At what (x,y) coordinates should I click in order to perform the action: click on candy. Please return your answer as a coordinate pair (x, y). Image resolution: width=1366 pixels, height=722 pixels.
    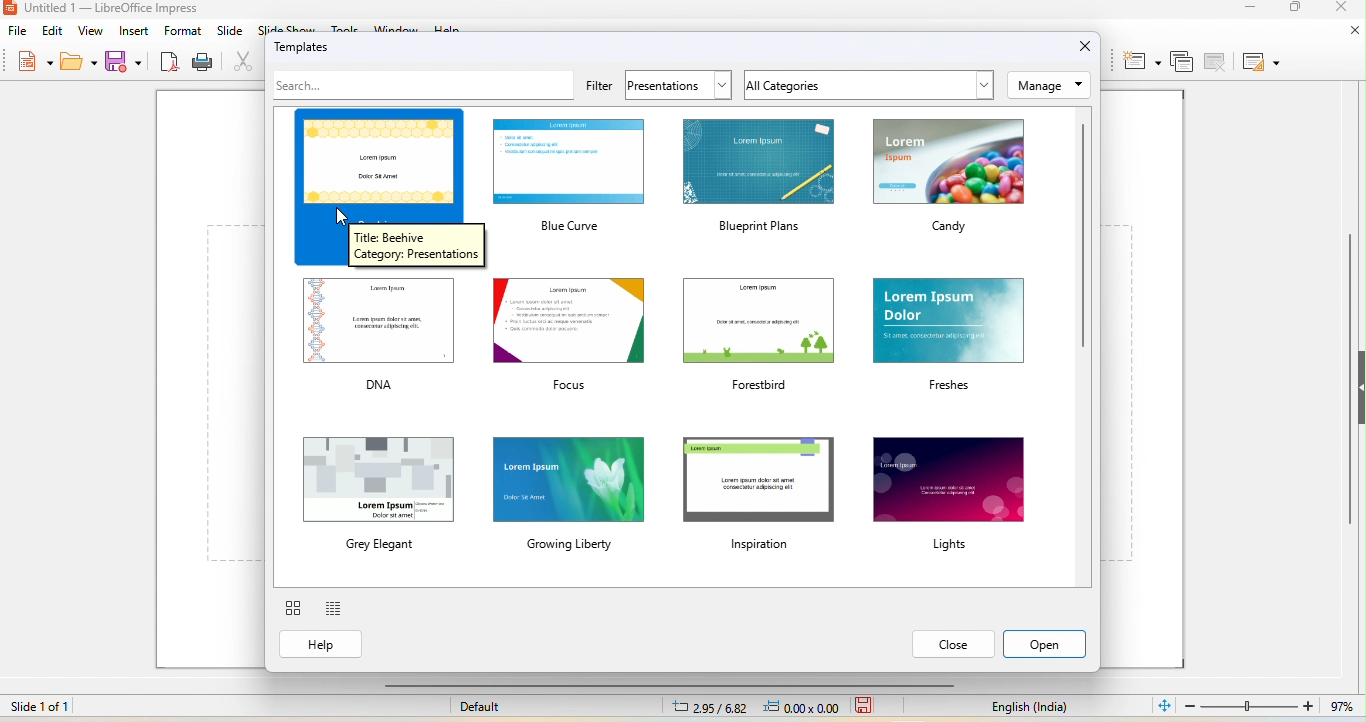
    Looking at the image, I should click on (949, 178).